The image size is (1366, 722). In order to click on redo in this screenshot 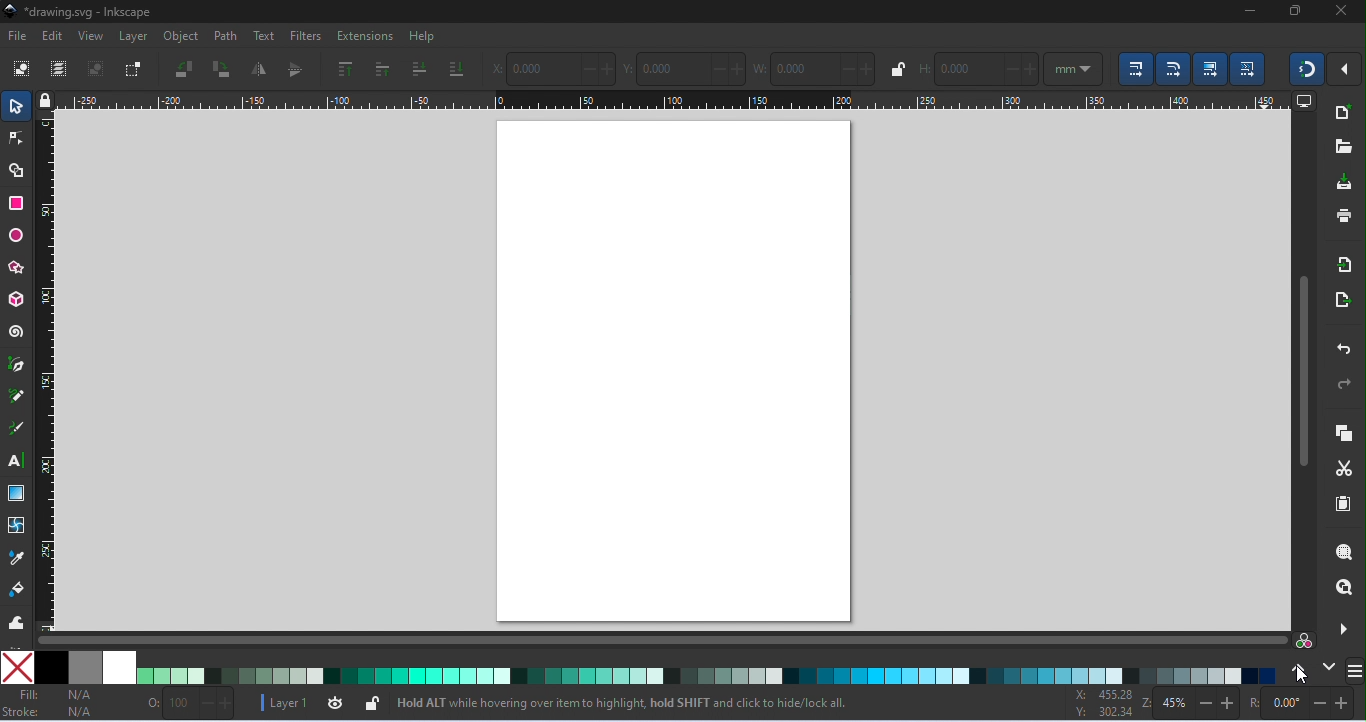, I will do `click(1340, 383)`.